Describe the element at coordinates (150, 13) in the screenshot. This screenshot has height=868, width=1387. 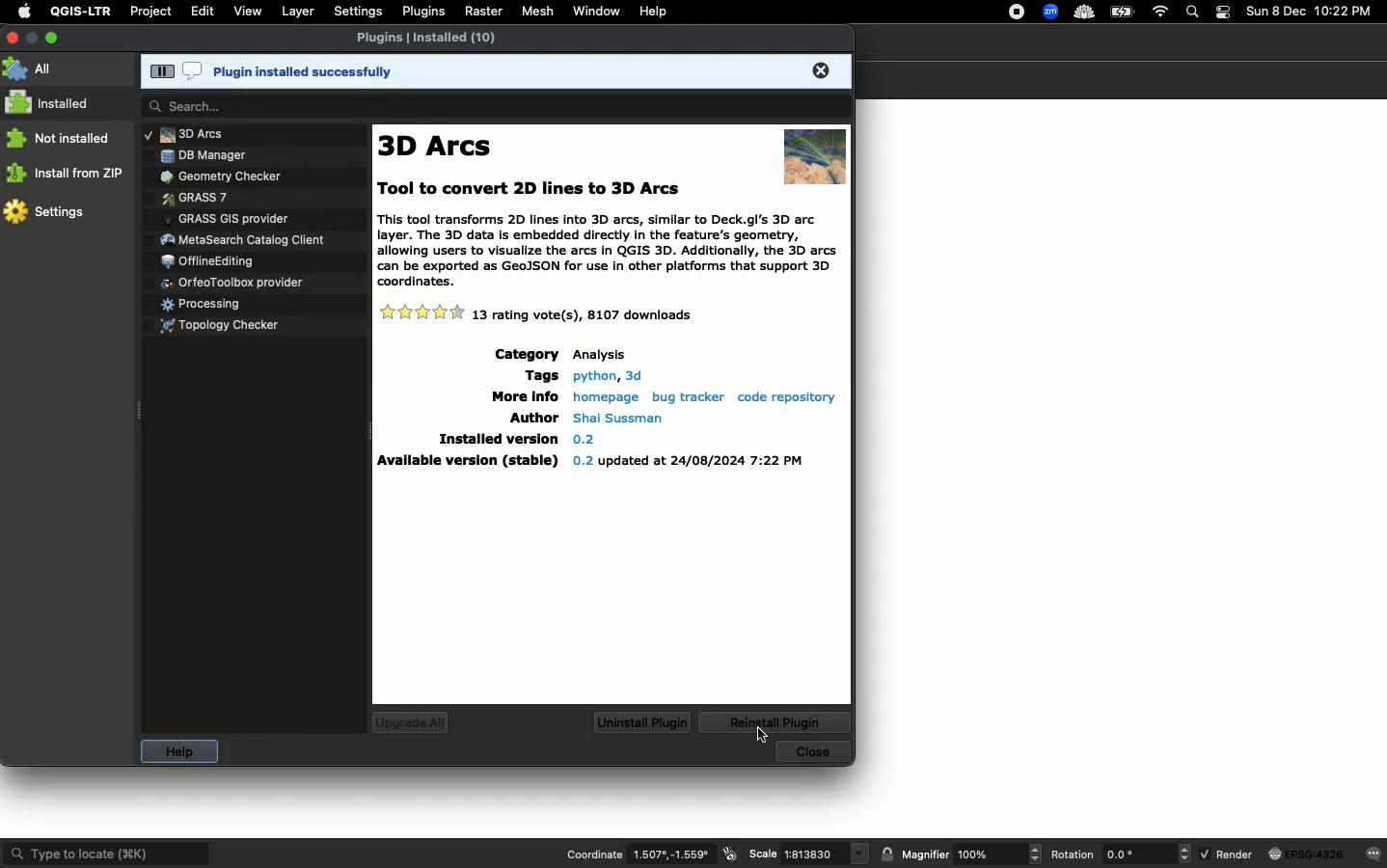
I see `Project` at that location.